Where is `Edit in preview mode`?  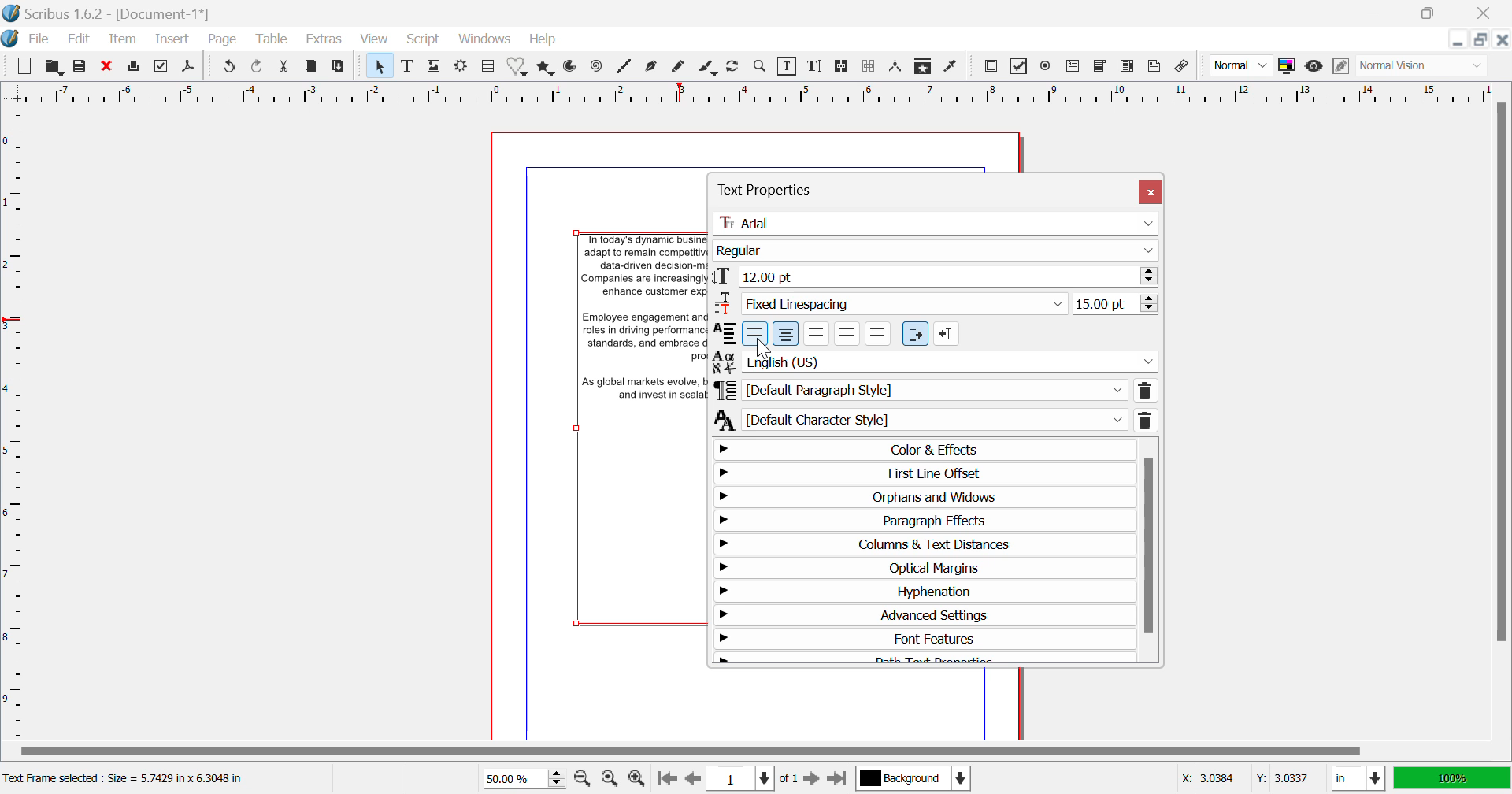
Edit in preview mode is located at coordinates (1339, 66).